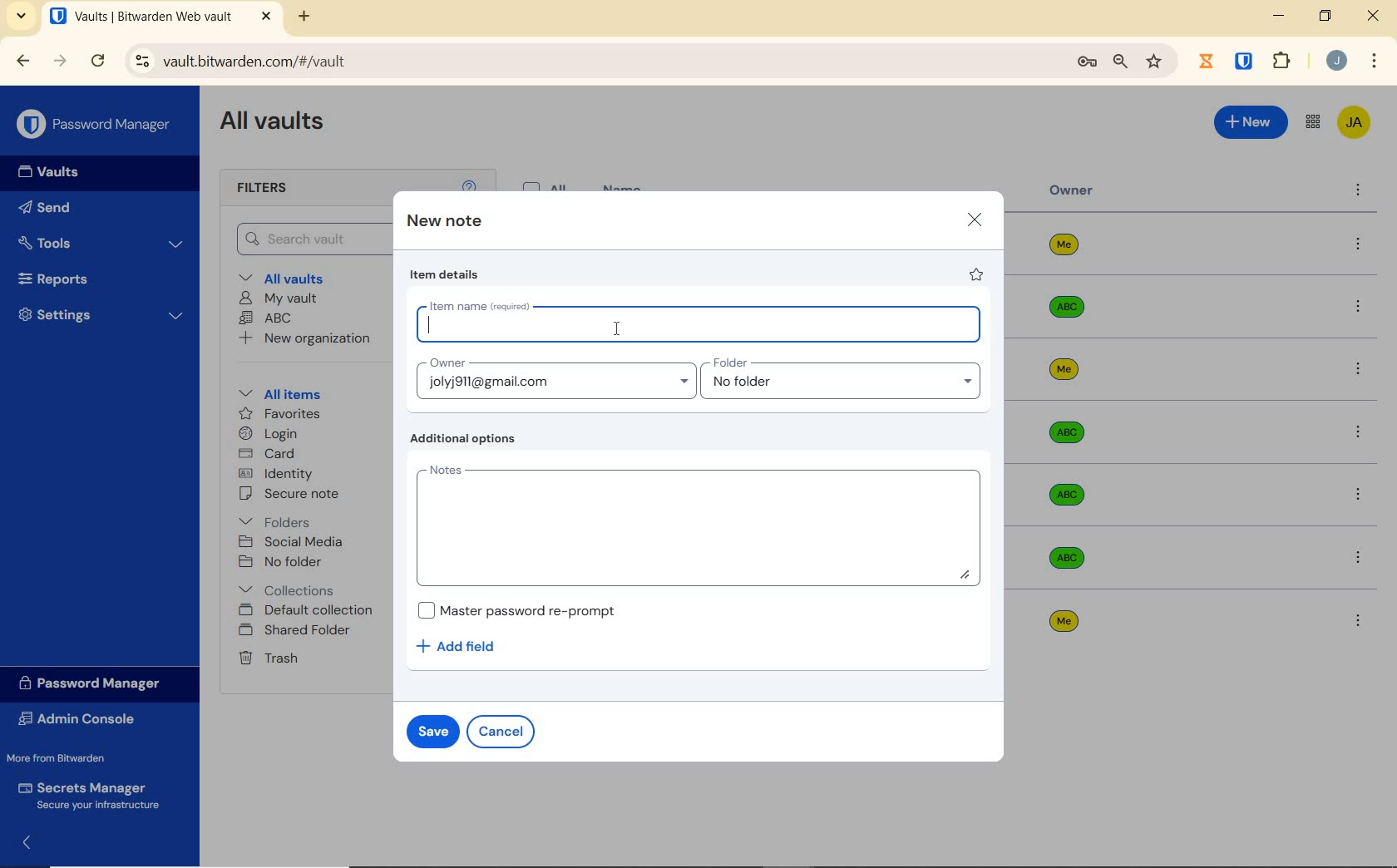 This screenshot has height=868, width=1397. Describe the element at coordinates (1245, 62) in the screenshot. I see `BITWARDEN` at that location.